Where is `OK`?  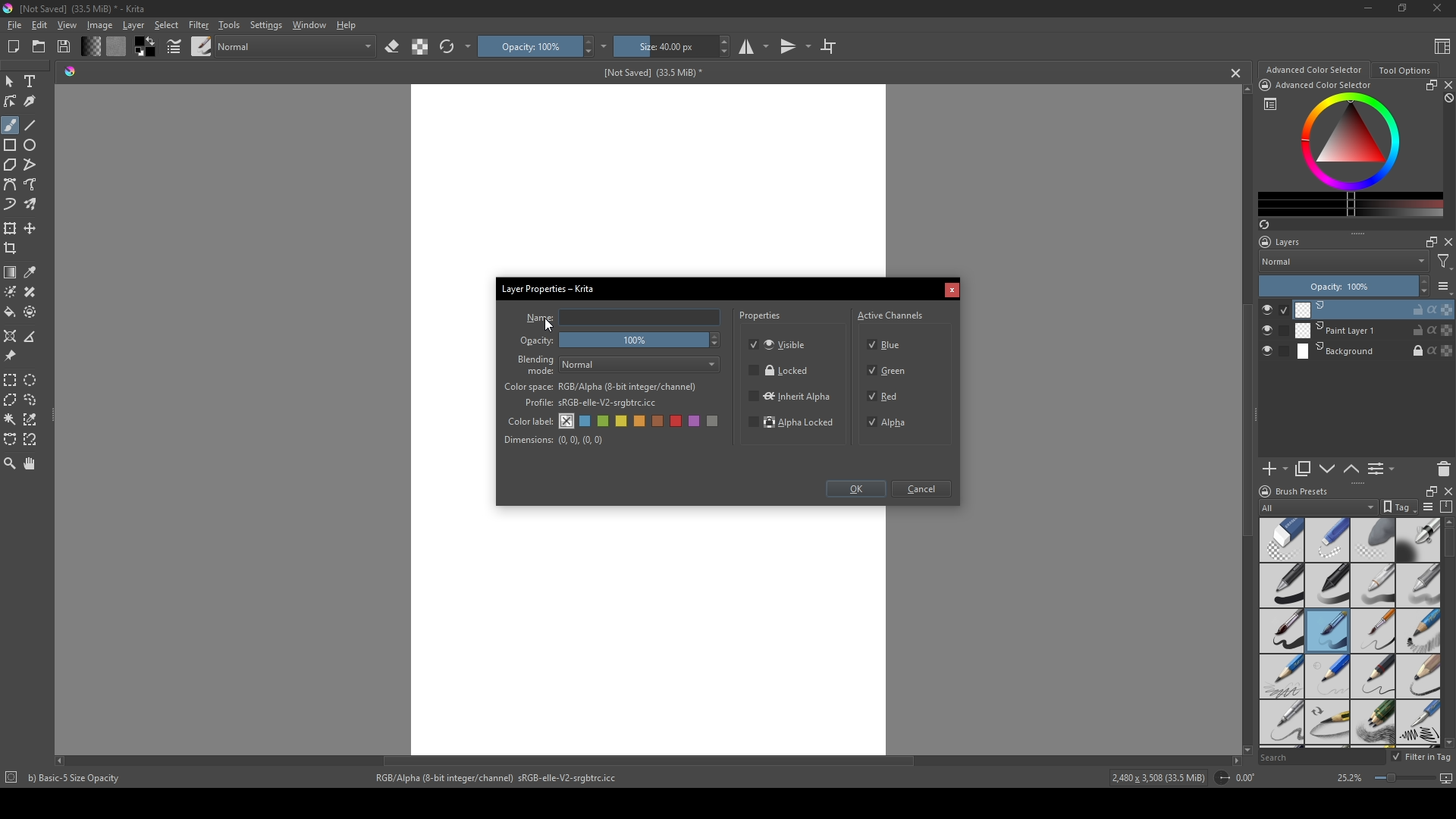 OK is located at coordinates (855, 491).